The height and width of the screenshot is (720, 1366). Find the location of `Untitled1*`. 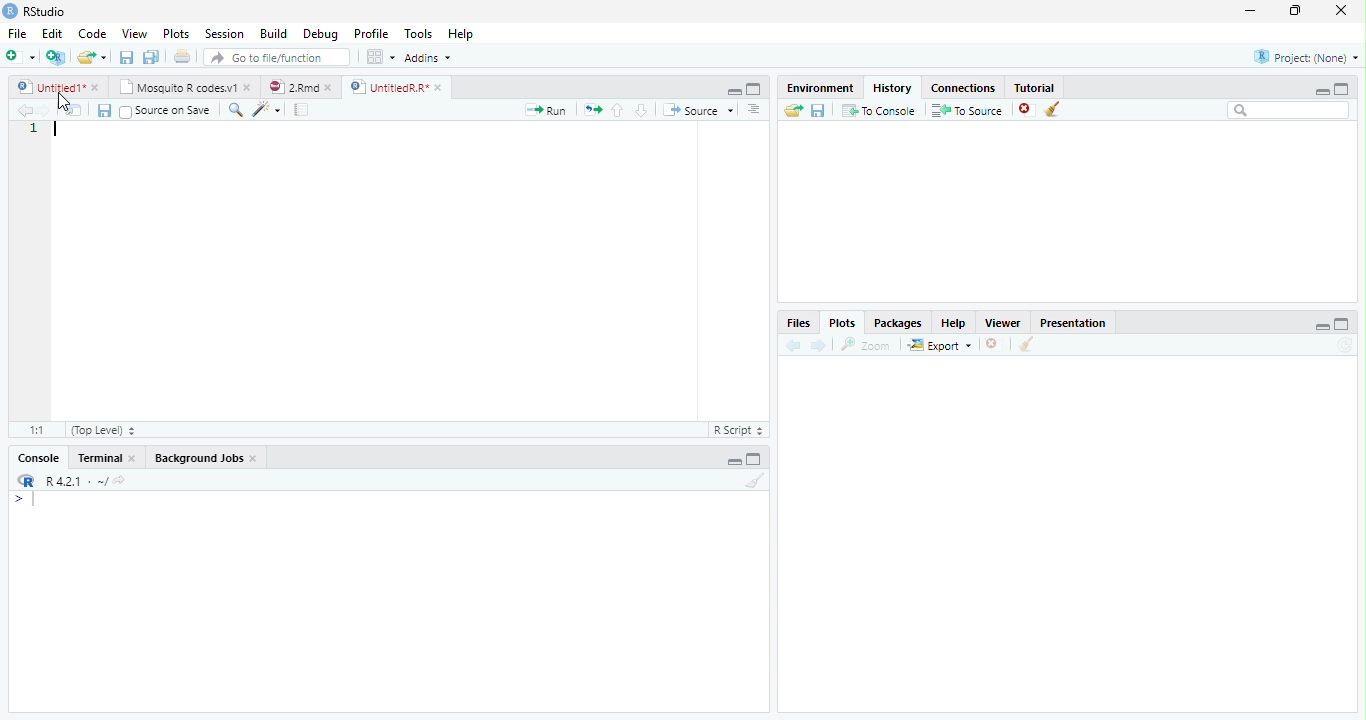

Untitled1* is located at coordinates (49, 87).